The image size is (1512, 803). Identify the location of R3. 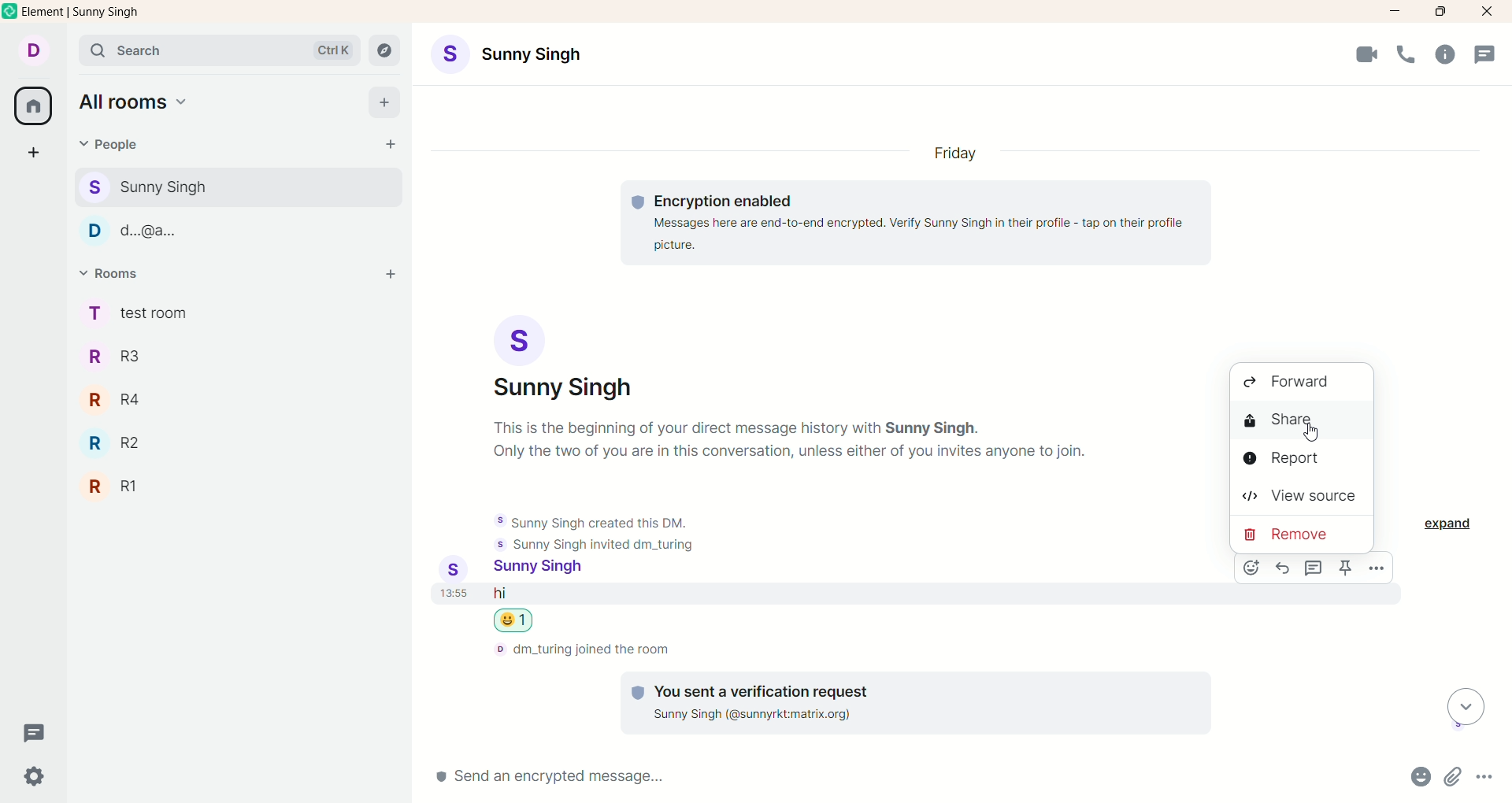
(120, 359).